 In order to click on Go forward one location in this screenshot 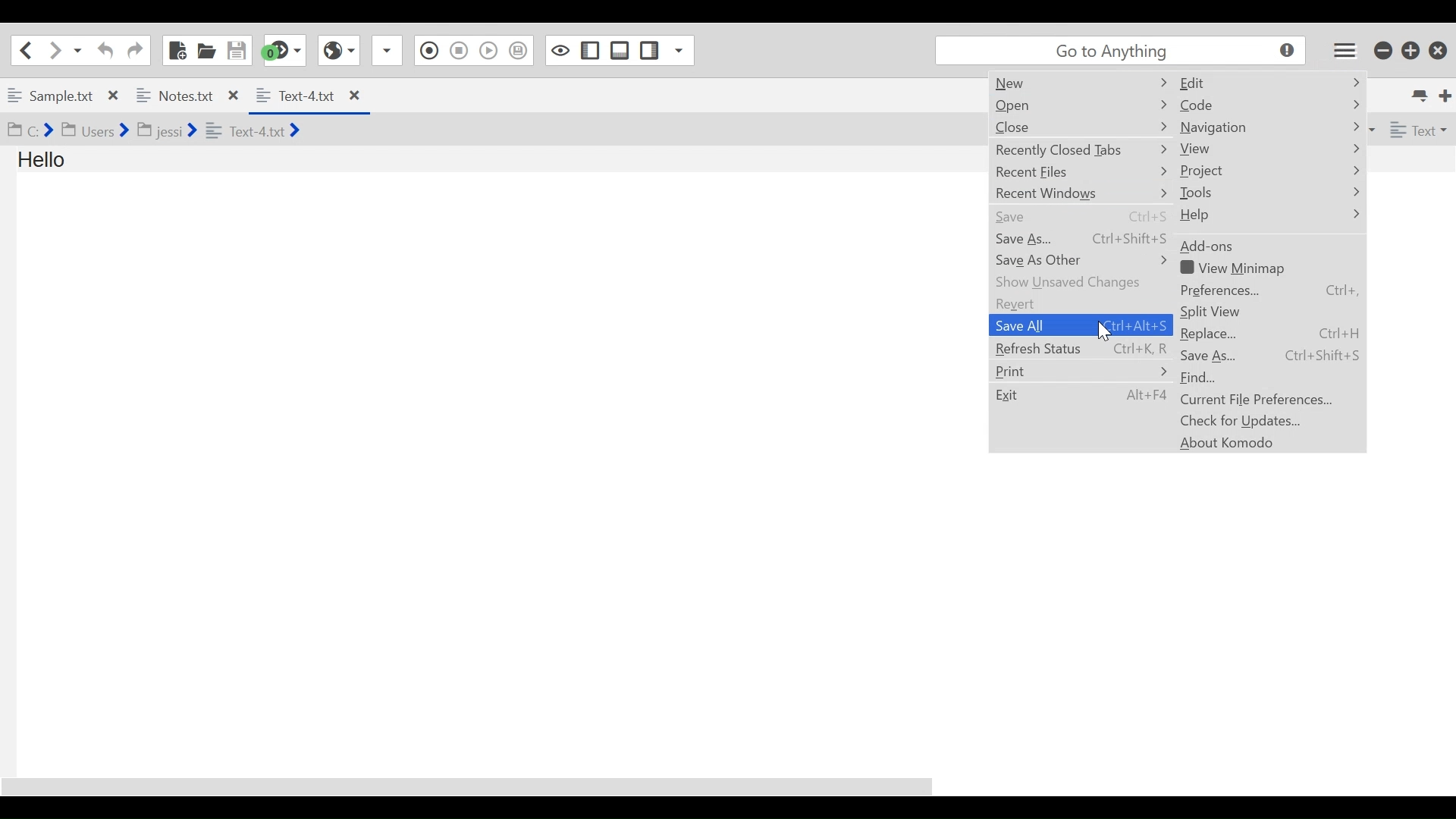, I will do `click(52, 50)`.